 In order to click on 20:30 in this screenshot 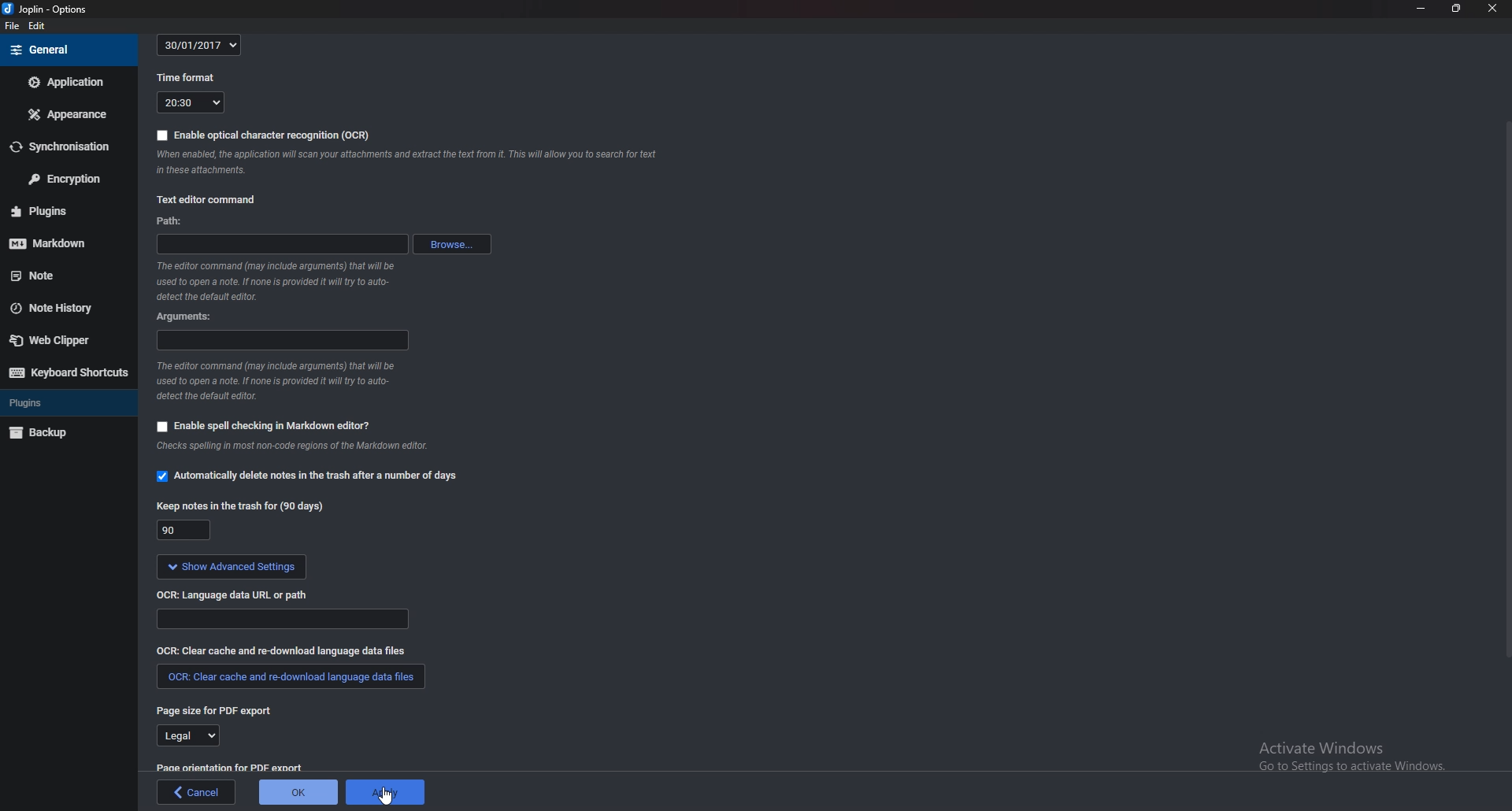, I will do `click(190, 102)`.